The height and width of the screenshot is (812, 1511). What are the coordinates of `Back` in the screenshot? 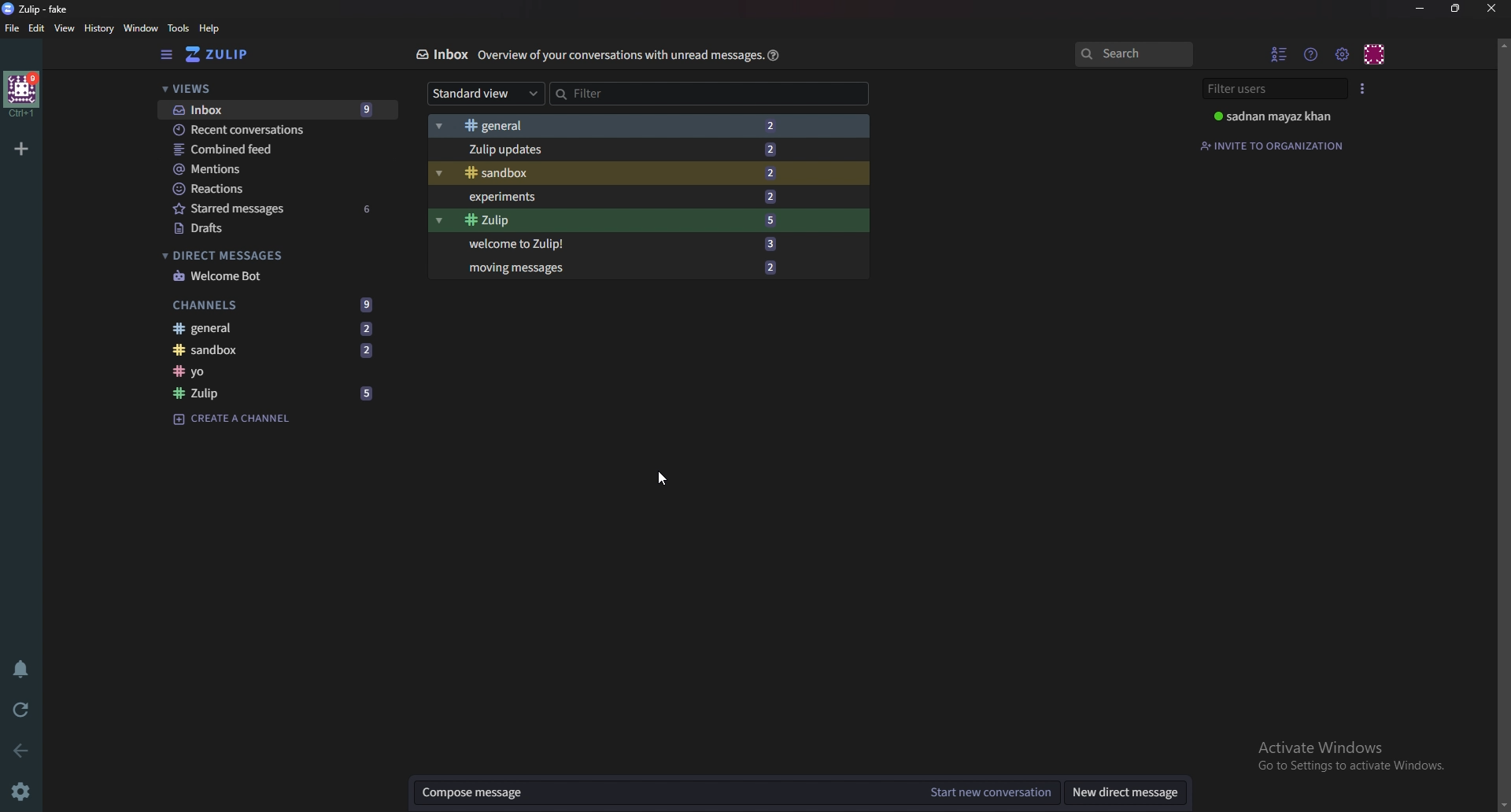 It's located at (18, 750).